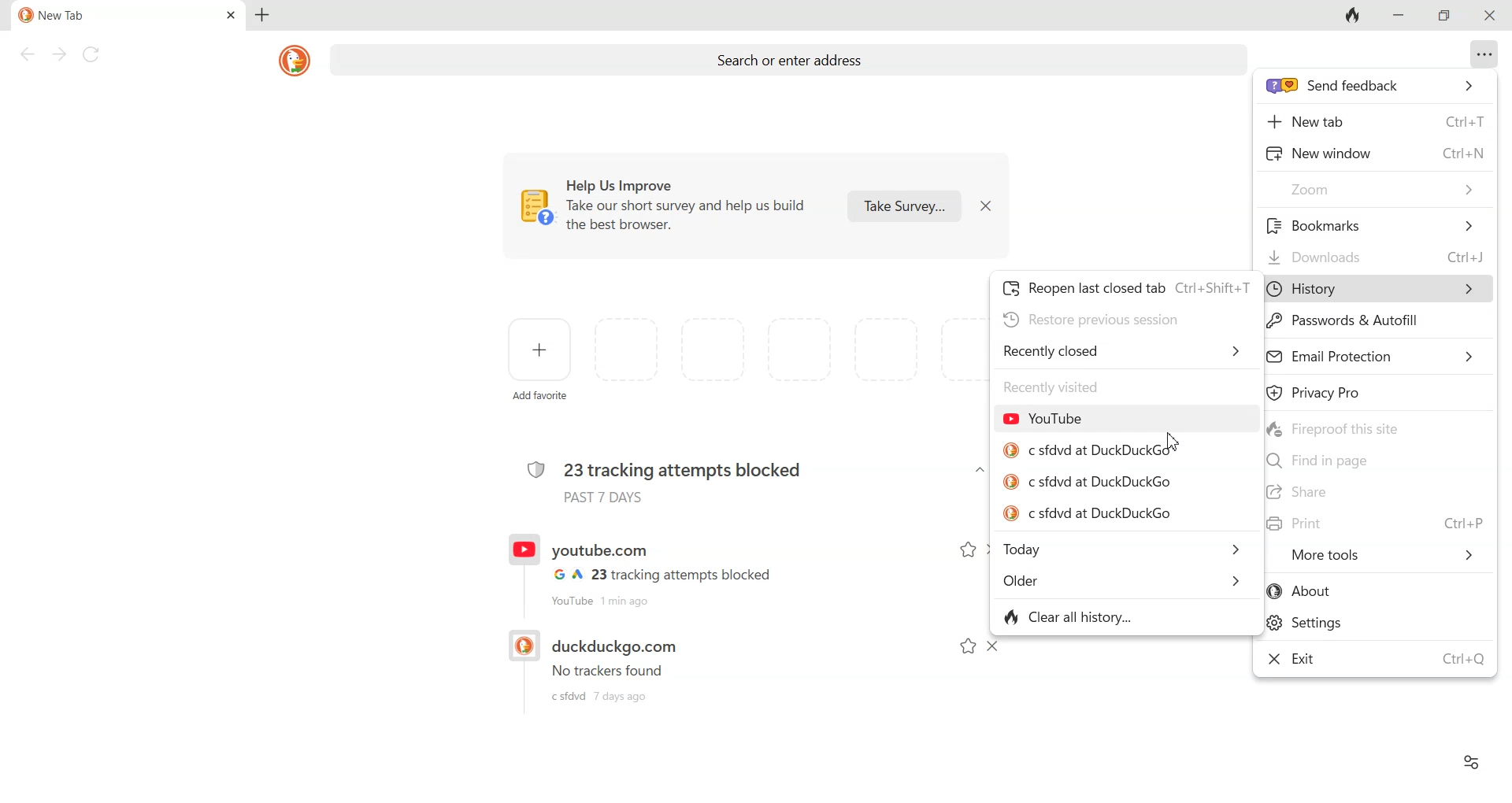  Describe the element at coordinates (296, 60) in the screenshot. I see `DuckDuckGo logo` at that location.